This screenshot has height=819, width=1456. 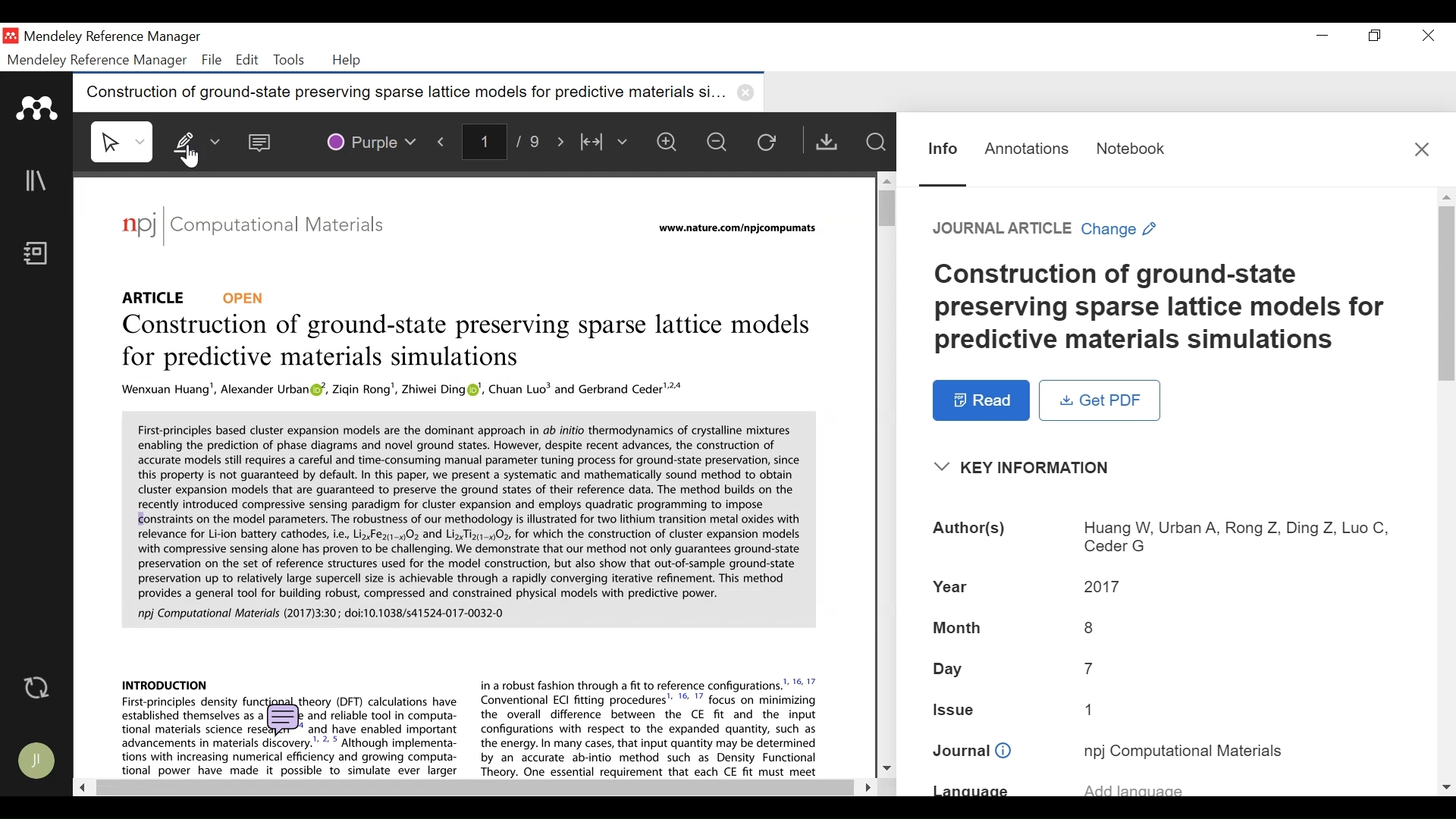 What do you see at coordinates (875, 142) in the screenshot?
I see `Find in Files` at bounding box center [875, 142].